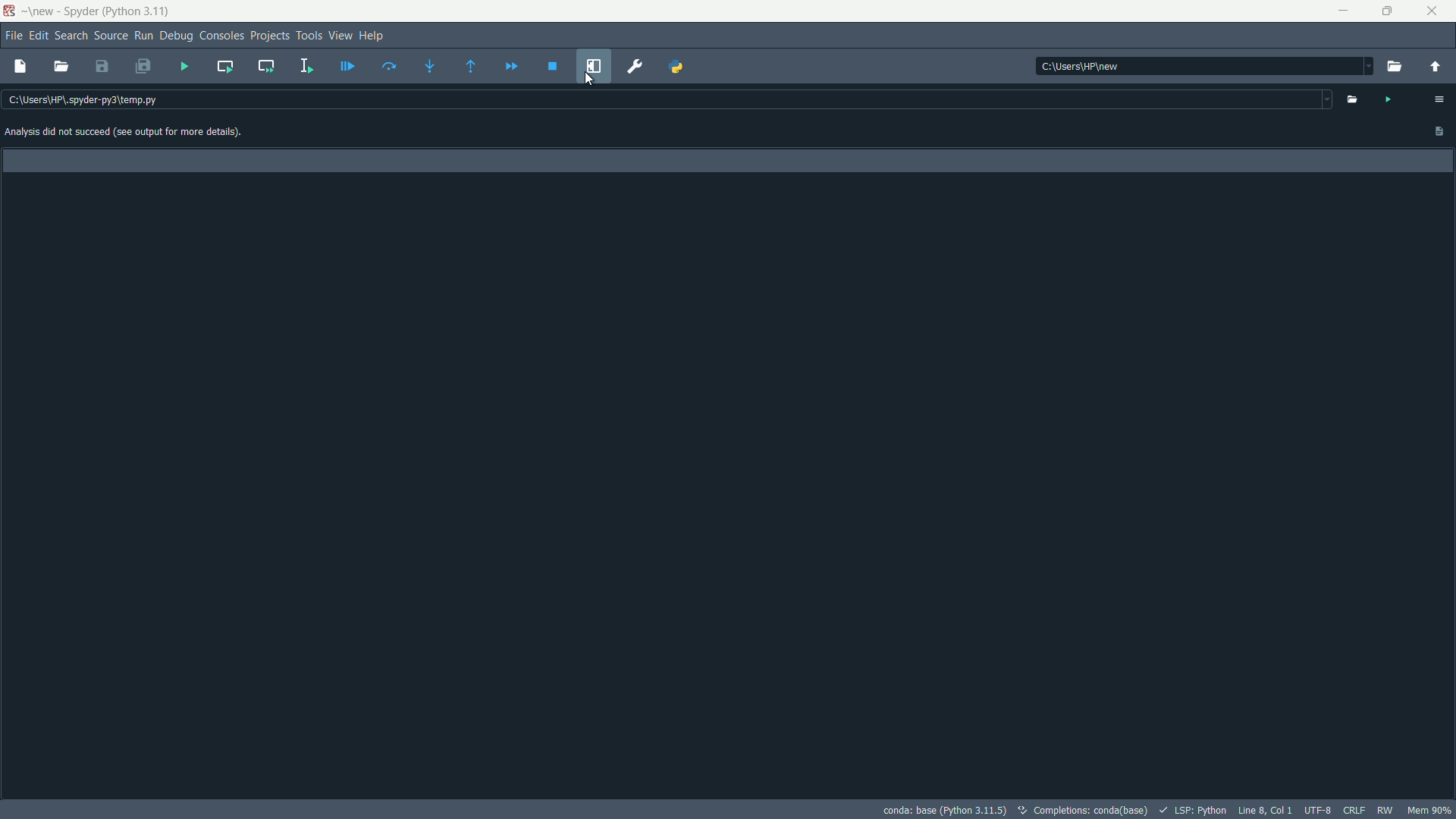  What do you see at coordinates (143, 67) in the screenshot?
I see `save all files` at bounding box center [143, 67].